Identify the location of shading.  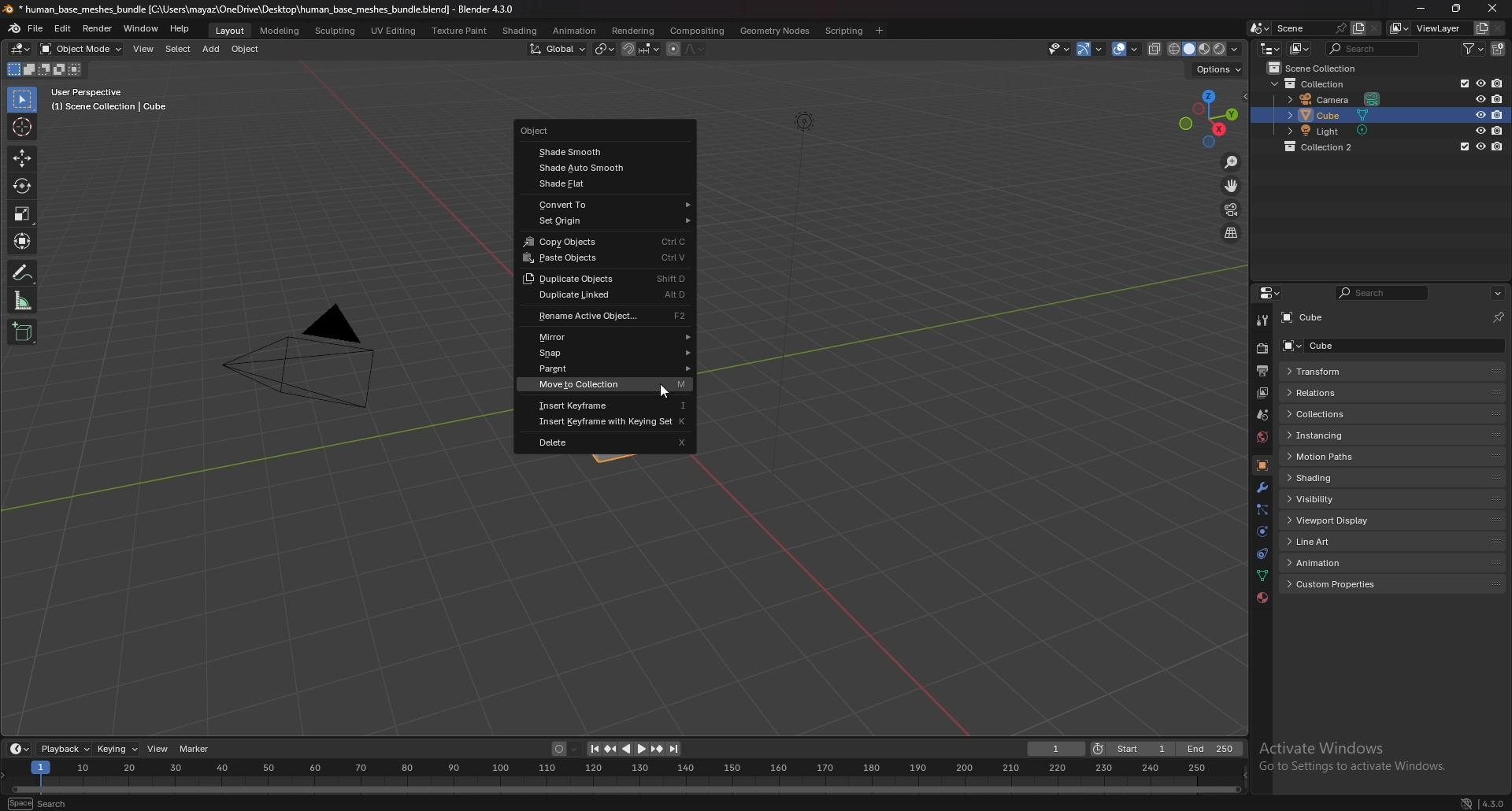
(1235, 48).